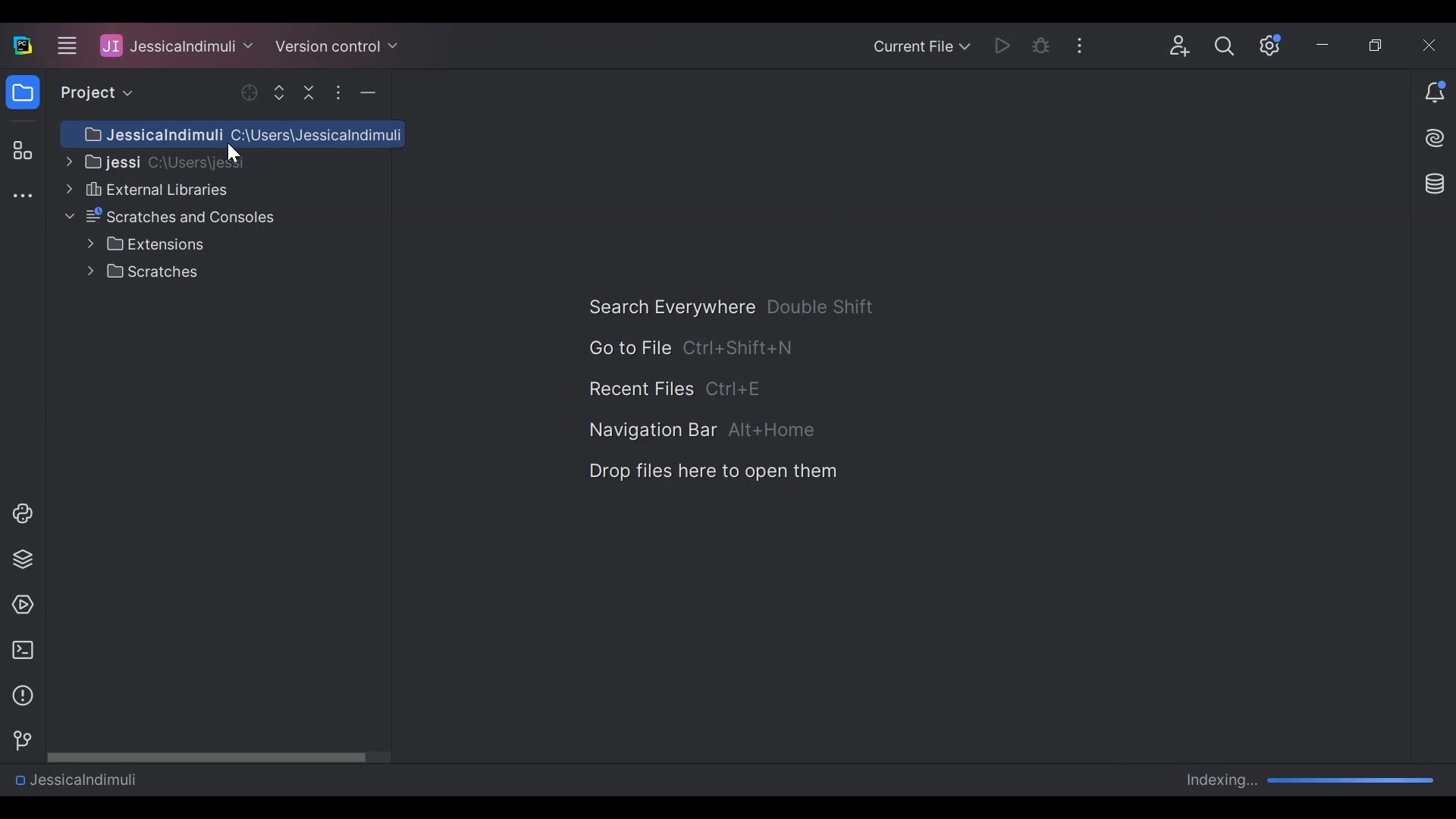 The image size is (1456, 819). I want to click on shortcut, so click(737, 391).